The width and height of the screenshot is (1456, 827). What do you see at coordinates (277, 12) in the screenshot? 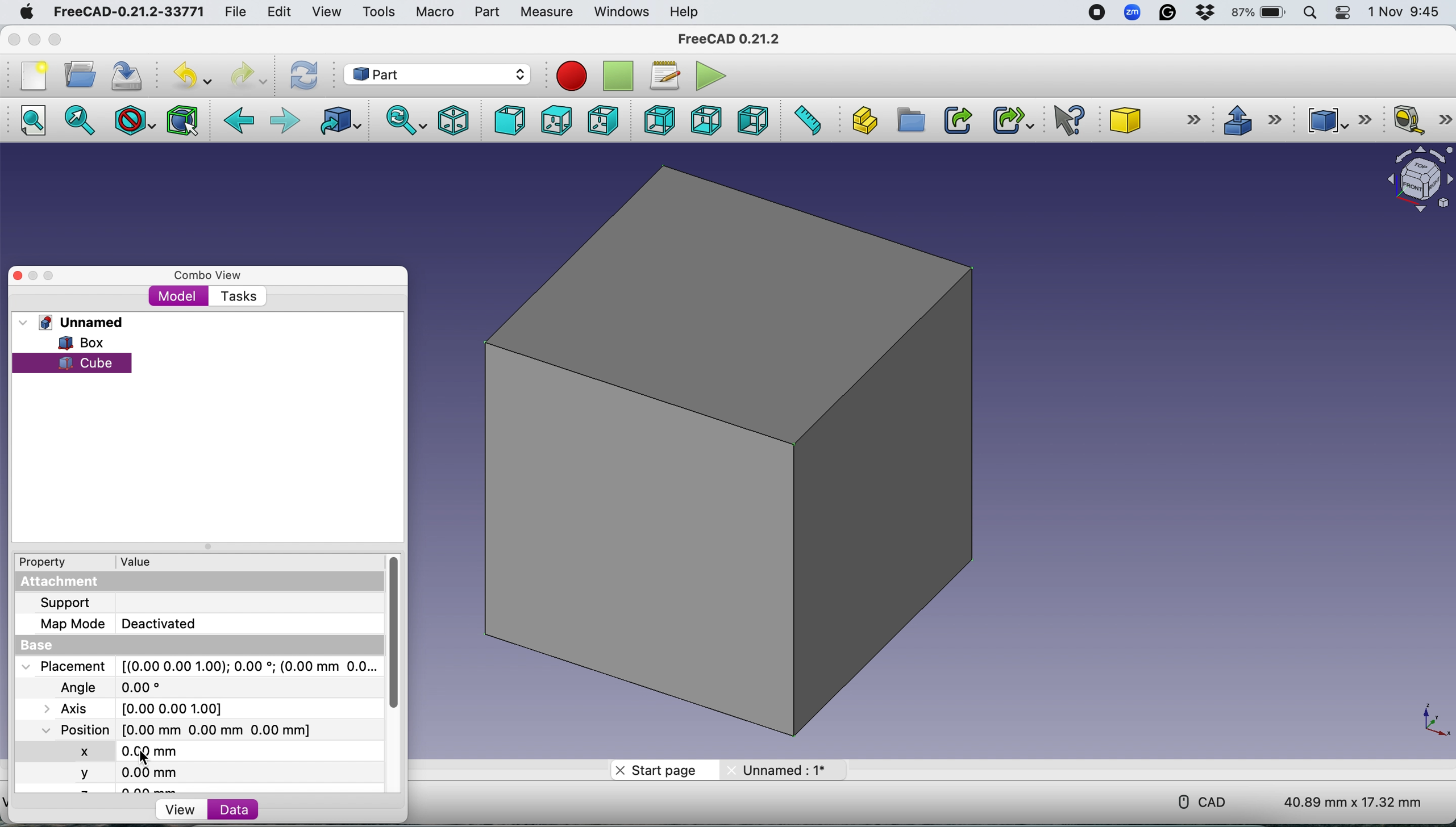
I see `Edit` at bounding box center [277, 12].